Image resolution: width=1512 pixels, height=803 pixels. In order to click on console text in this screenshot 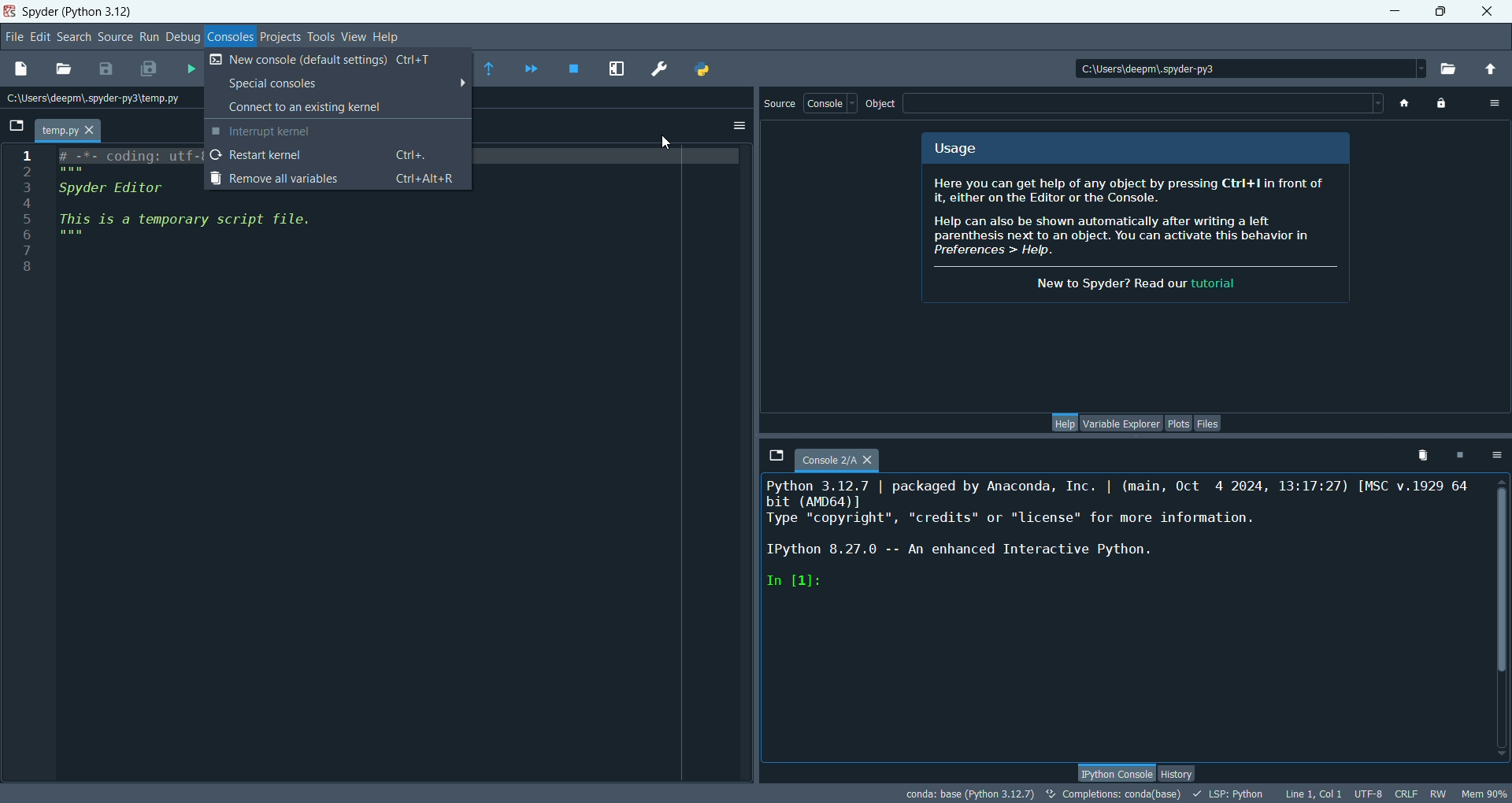, I will do `click(1117, 542)`.